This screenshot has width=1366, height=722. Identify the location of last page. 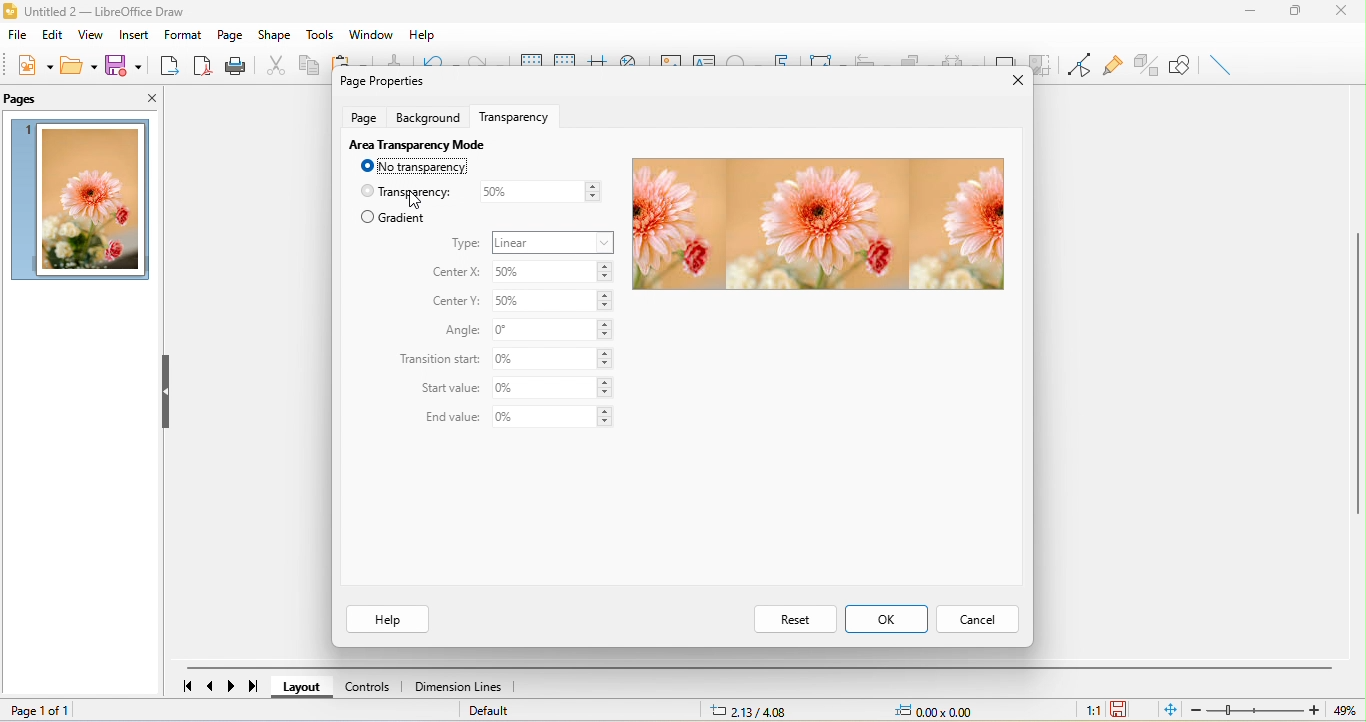
(249, 686).